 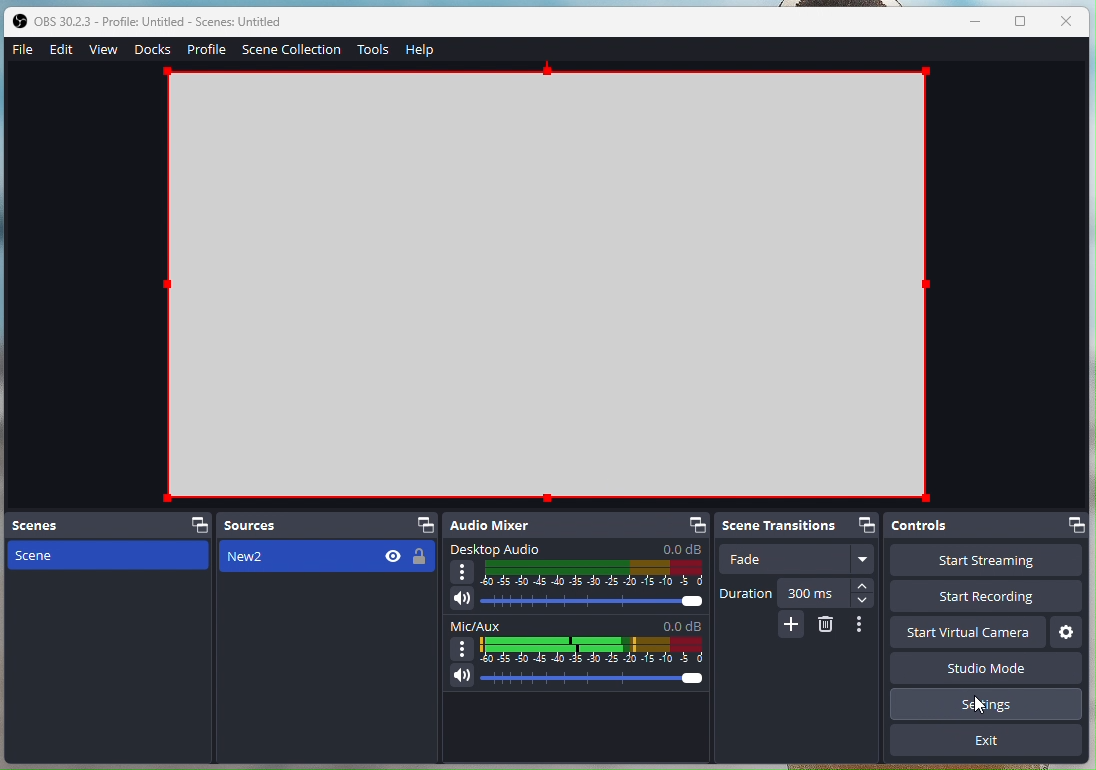 I want to click on speaker, so click(x=462, y=597).